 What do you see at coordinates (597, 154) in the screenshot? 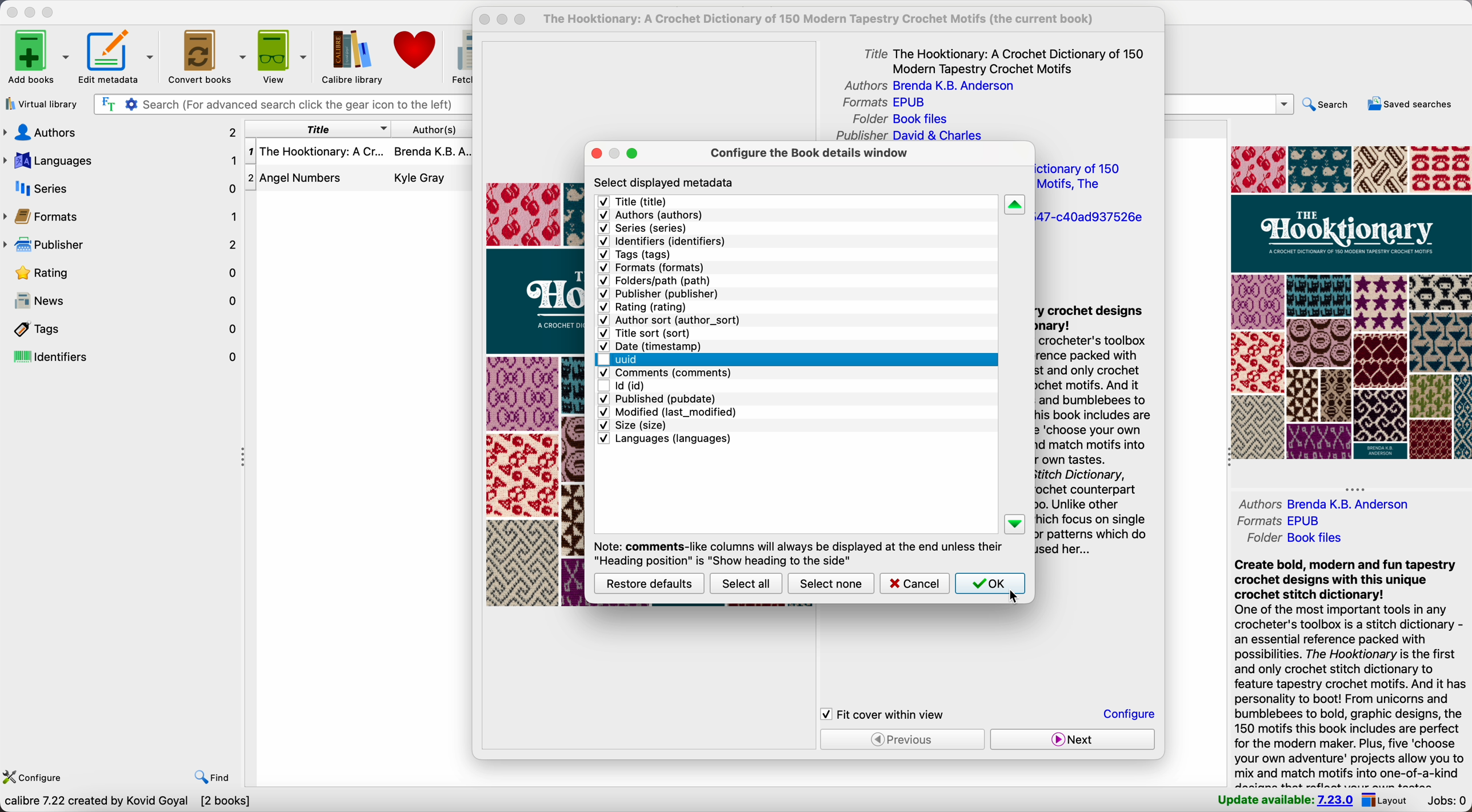
I see `close popup` at bounding box center [597, 154].